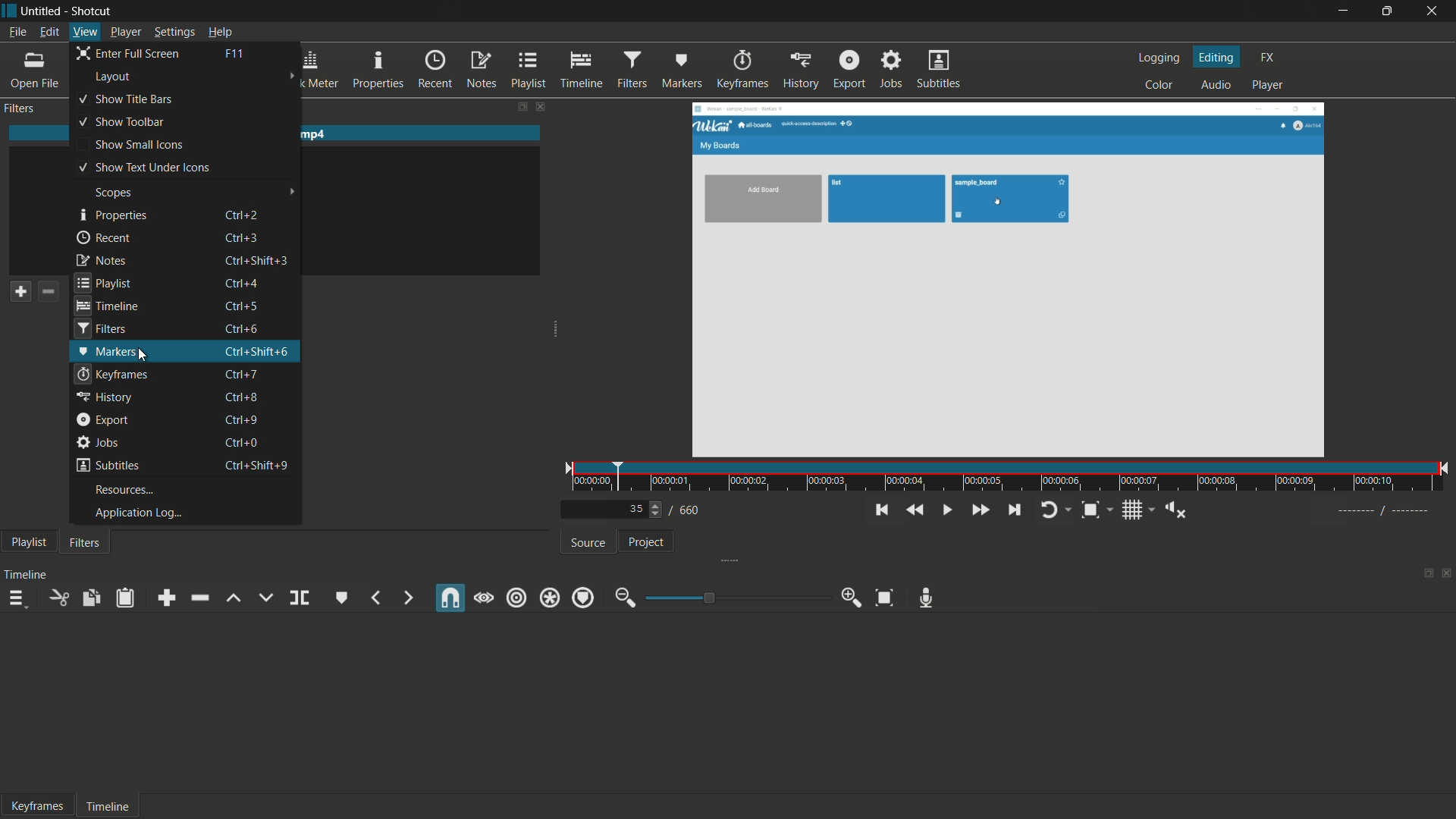 This screenshot has height=819, width=1456. What do you see at coordinates (126, 33) in the screenshot?
I see `player menu` at bounding box center [126, 33].